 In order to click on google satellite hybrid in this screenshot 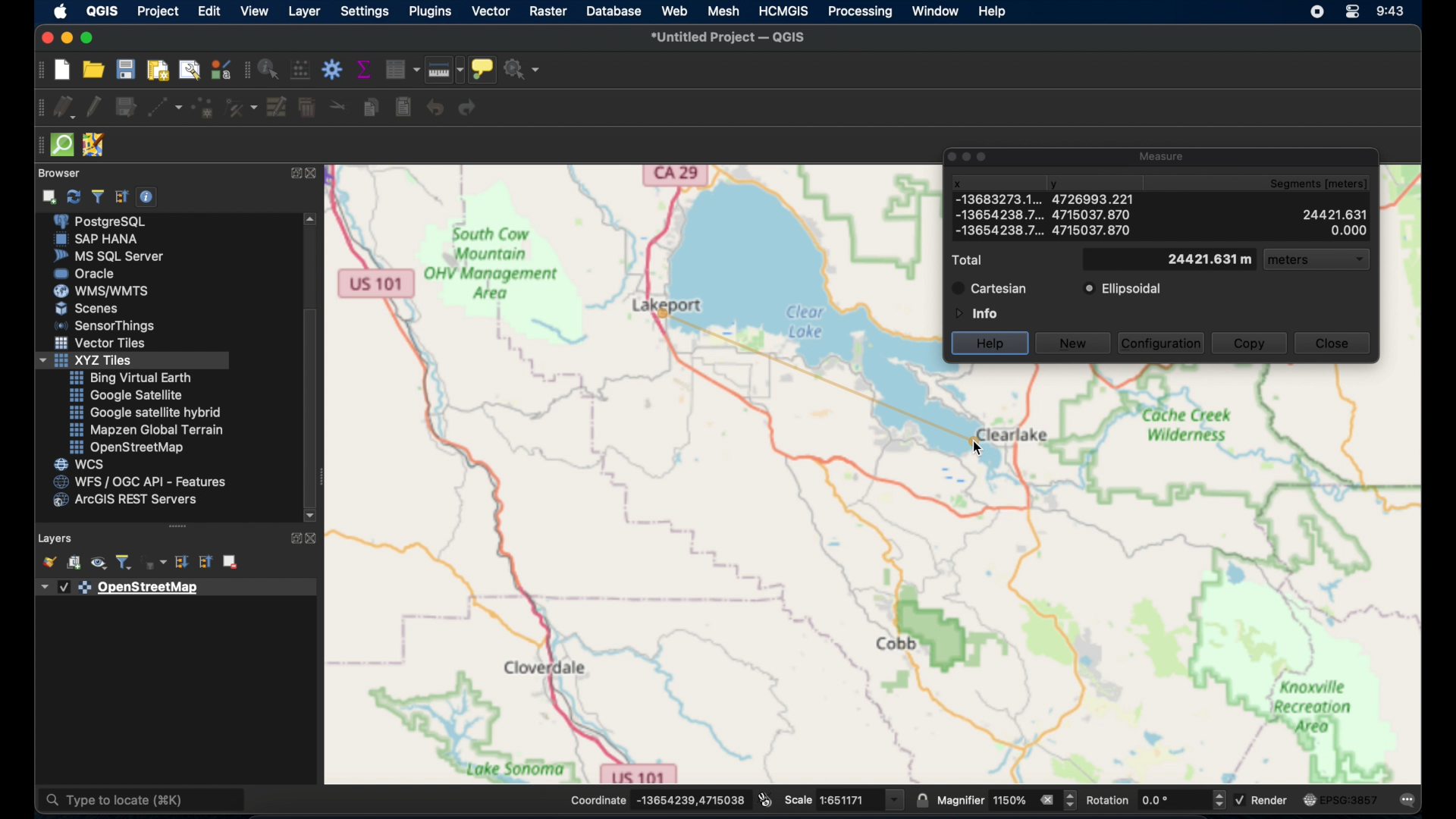, I will do `click(146, 412)`.